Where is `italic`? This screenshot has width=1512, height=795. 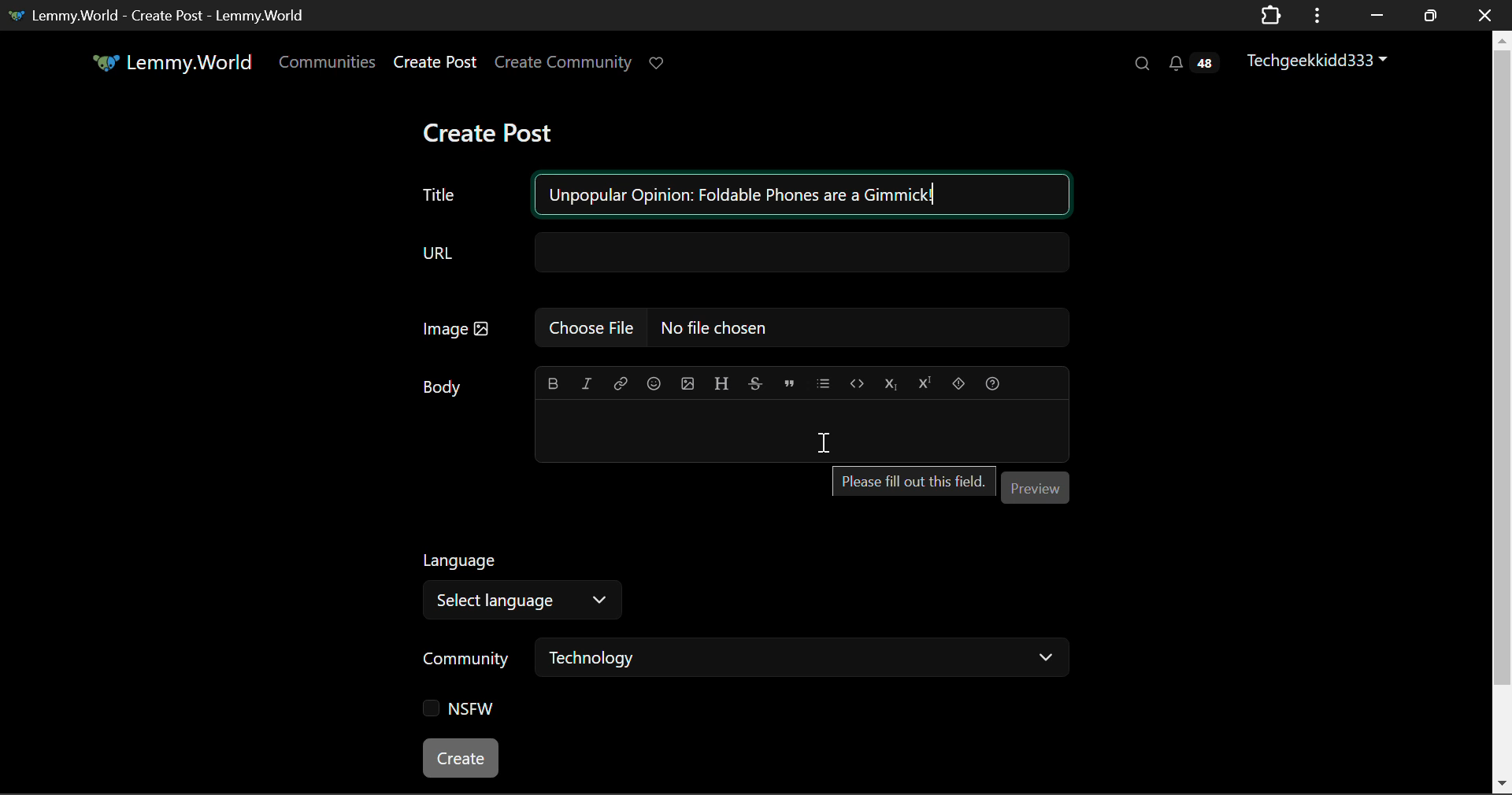
italic is located at coordinates (587, 383).